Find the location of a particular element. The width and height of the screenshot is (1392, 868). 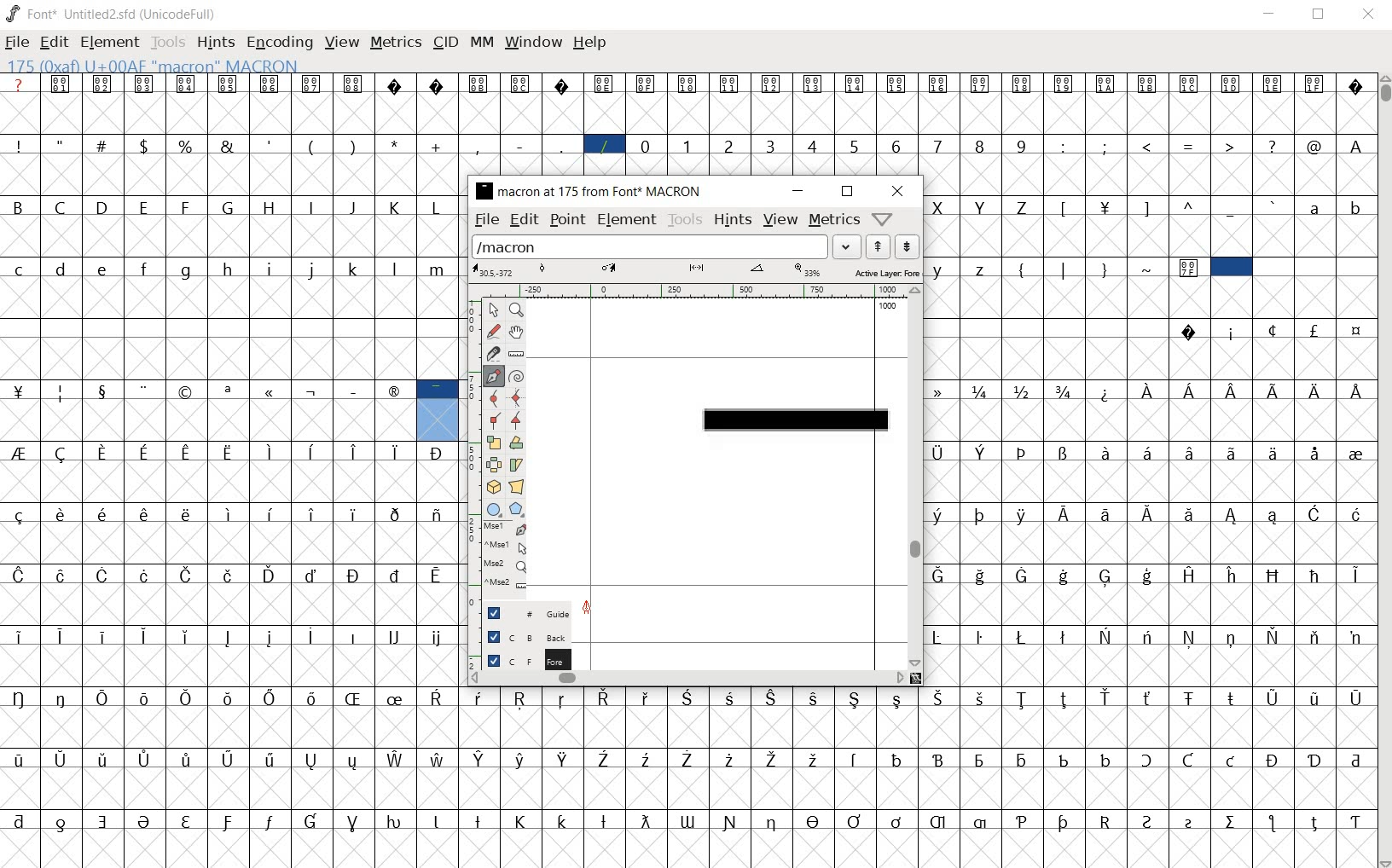

Symbol is located at coordinates (63, 392).